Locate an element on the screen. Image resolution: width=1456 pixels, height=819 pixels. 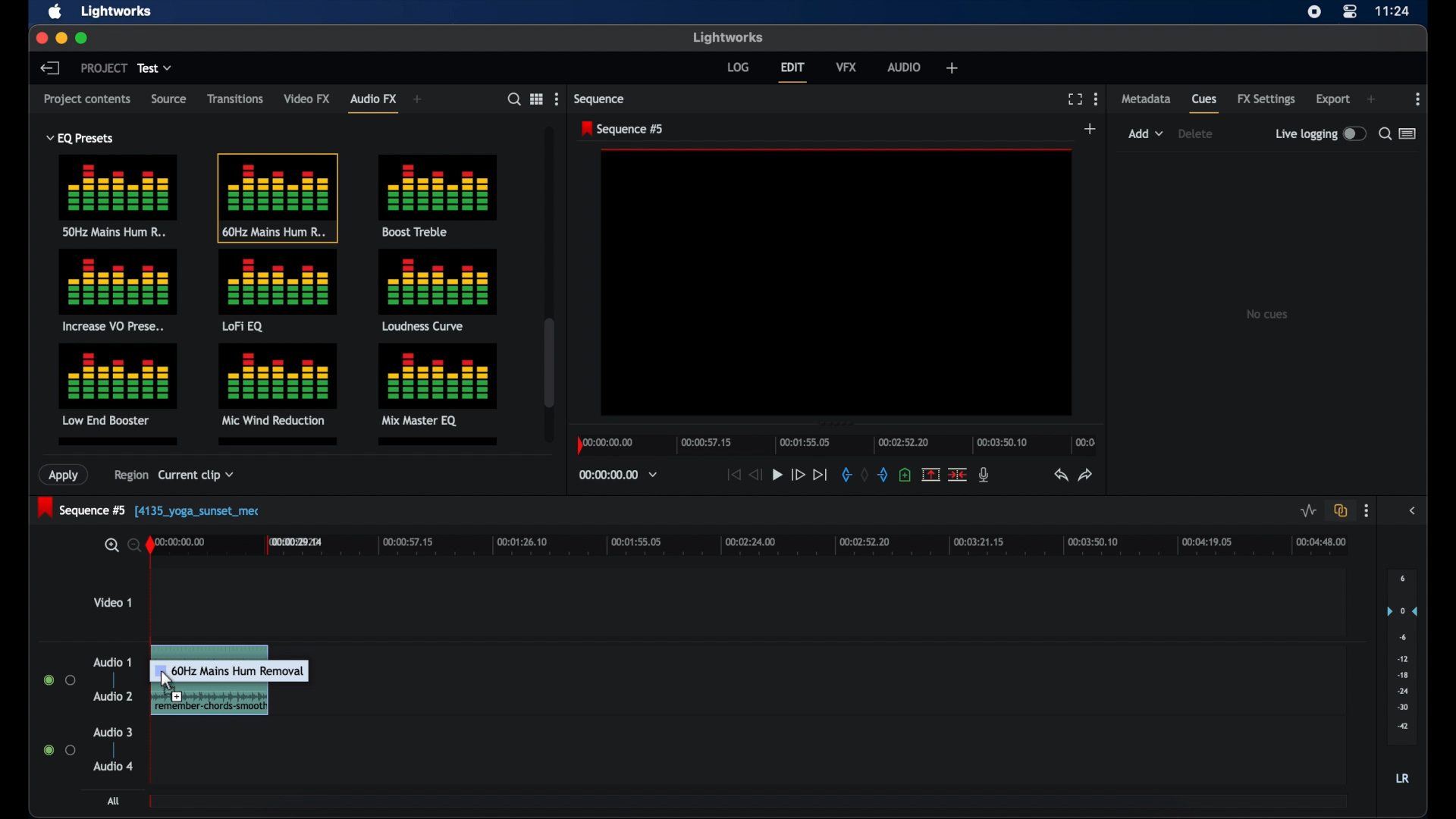
more options is located at coordinates (1367, 511).